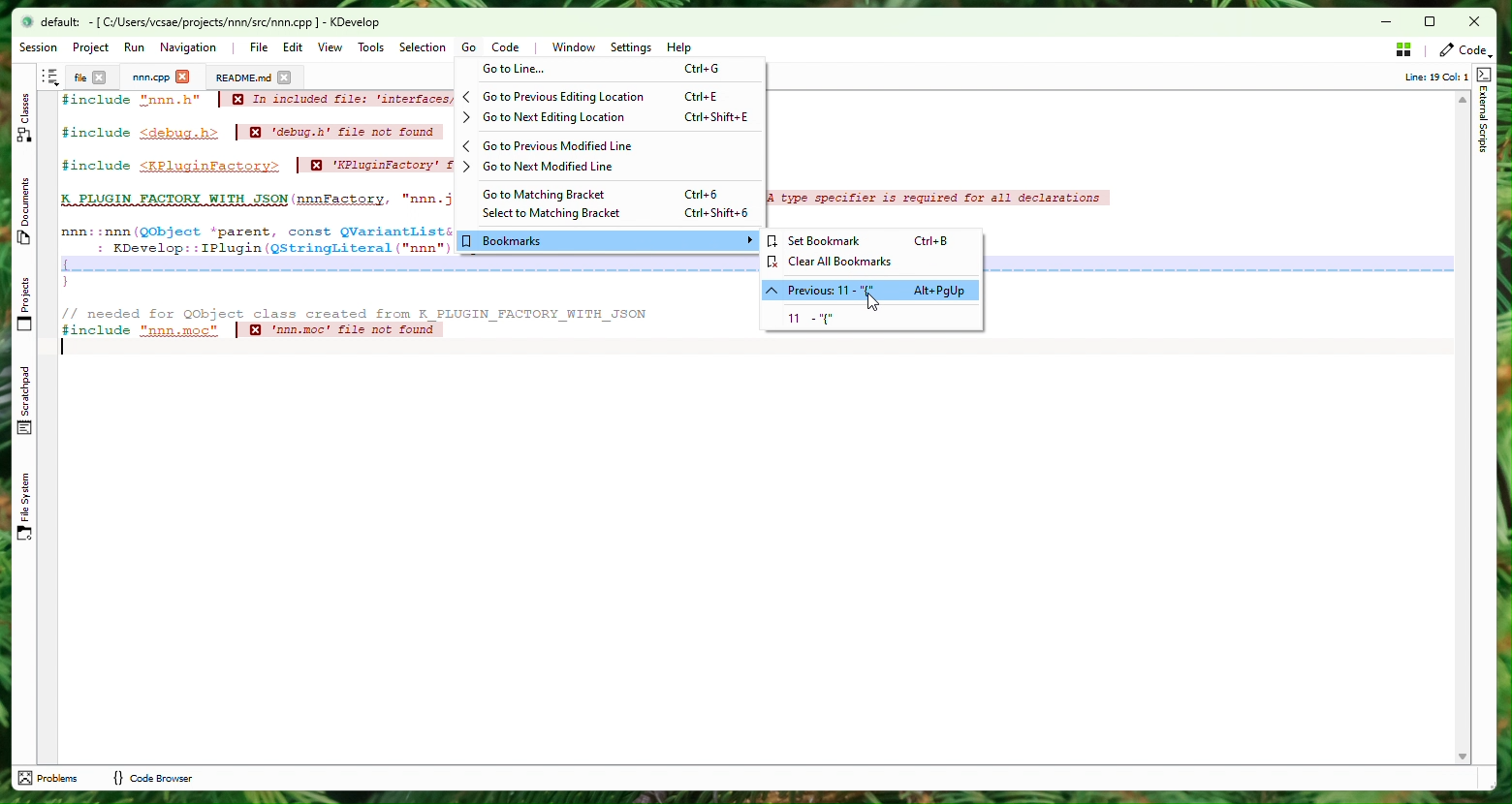 The width and height of the screenshot is (1512, 804). I want to click on Scratchpad, so click(27, 401).